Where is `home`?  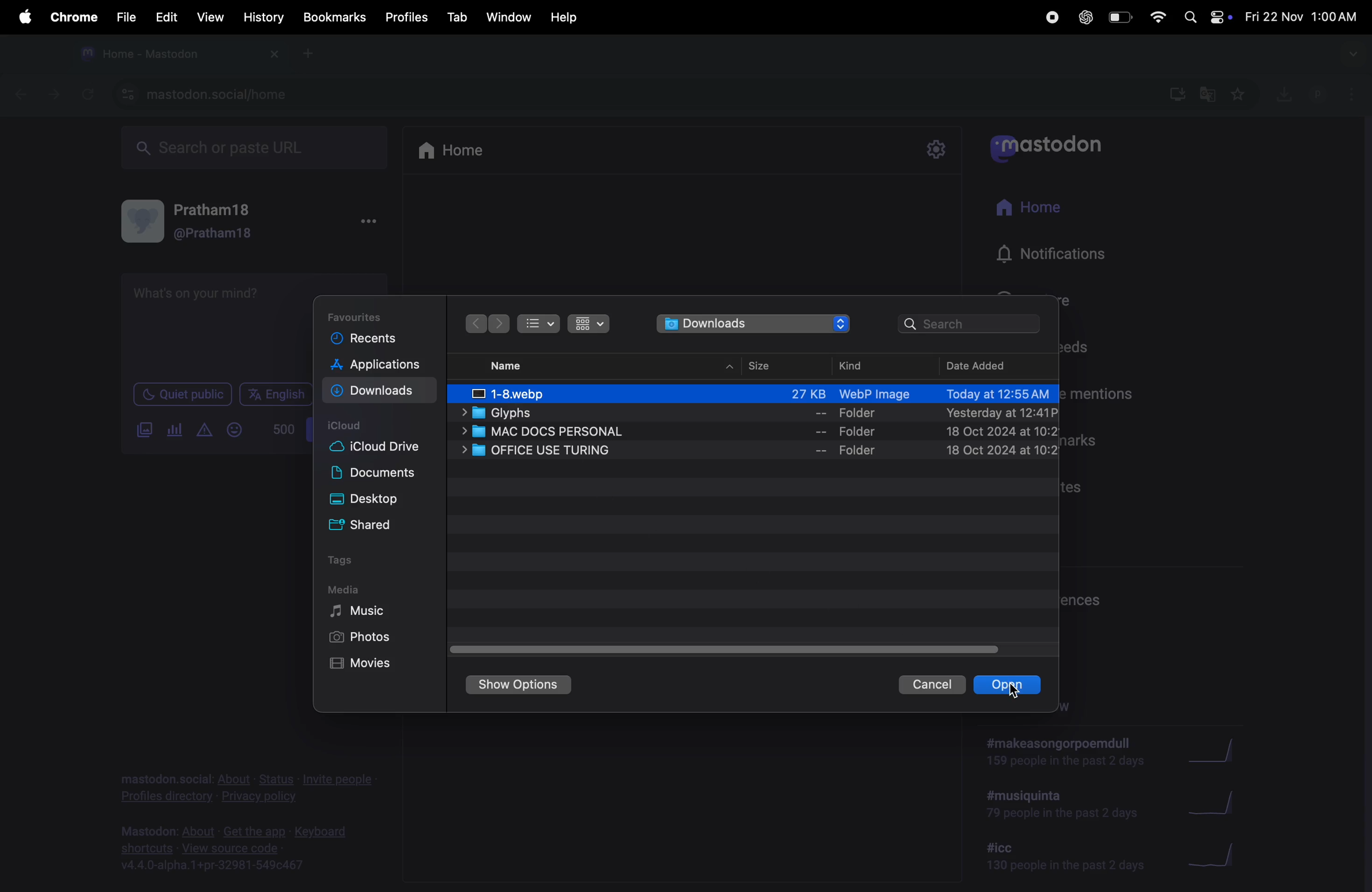 home is located at coordinates (1053, 211).